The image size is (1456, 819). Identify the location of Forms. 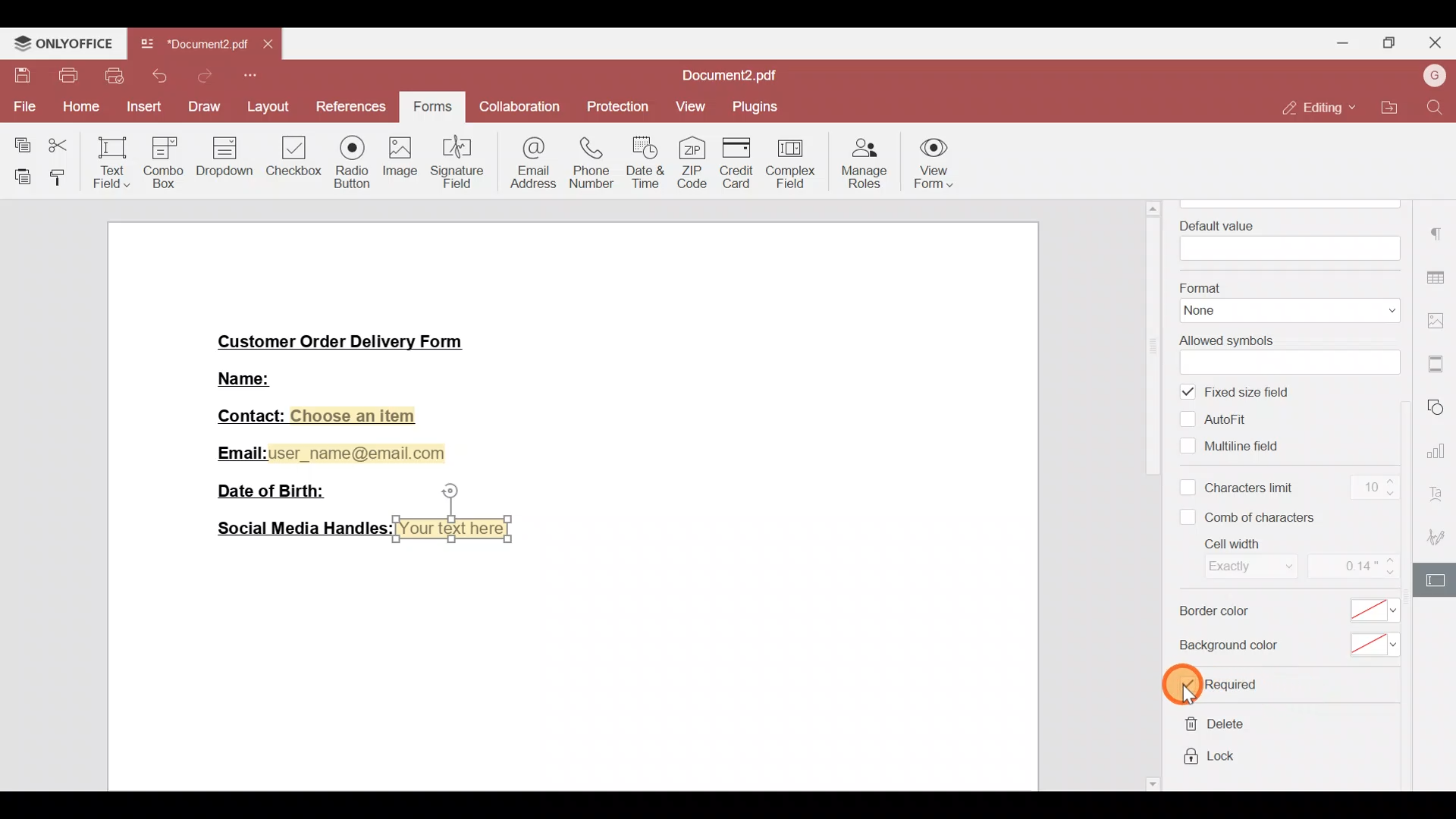
(435, 103).